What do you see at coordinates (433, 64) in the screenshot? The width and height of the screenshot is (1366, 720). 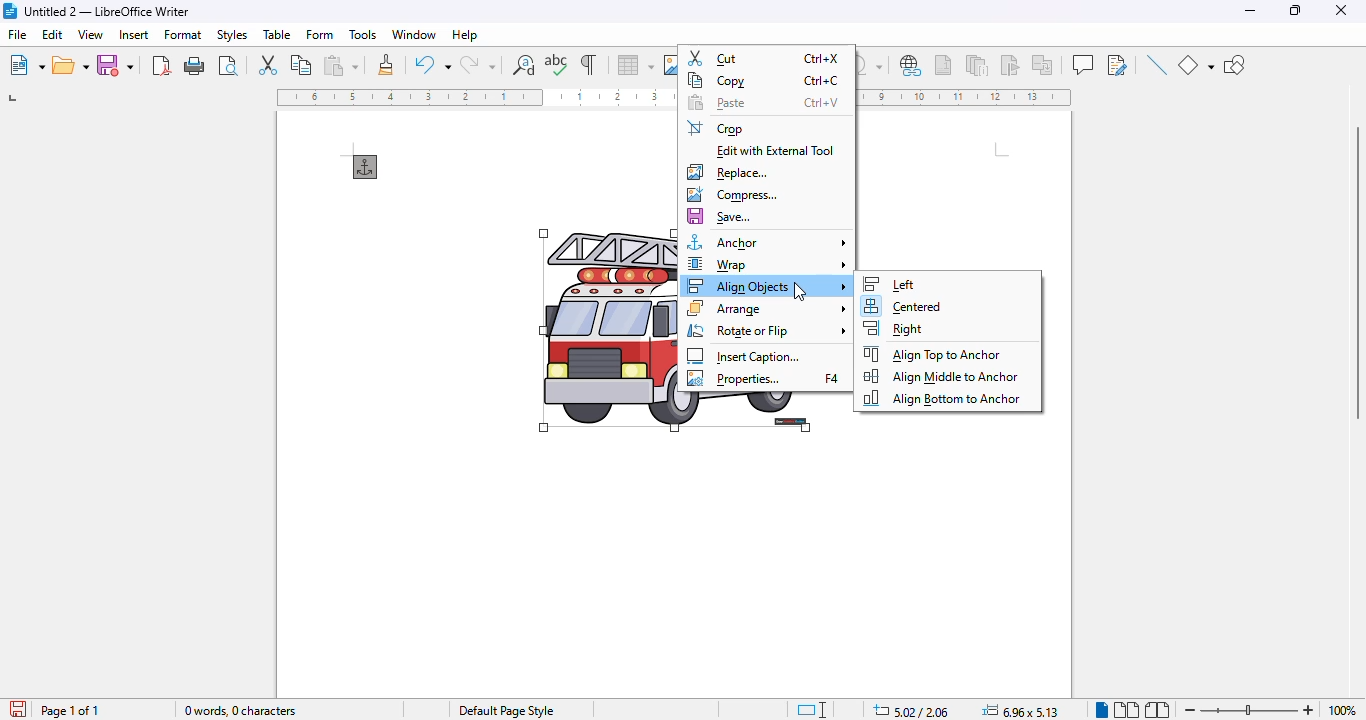 I see `undo` at bounding box center [433, 64].